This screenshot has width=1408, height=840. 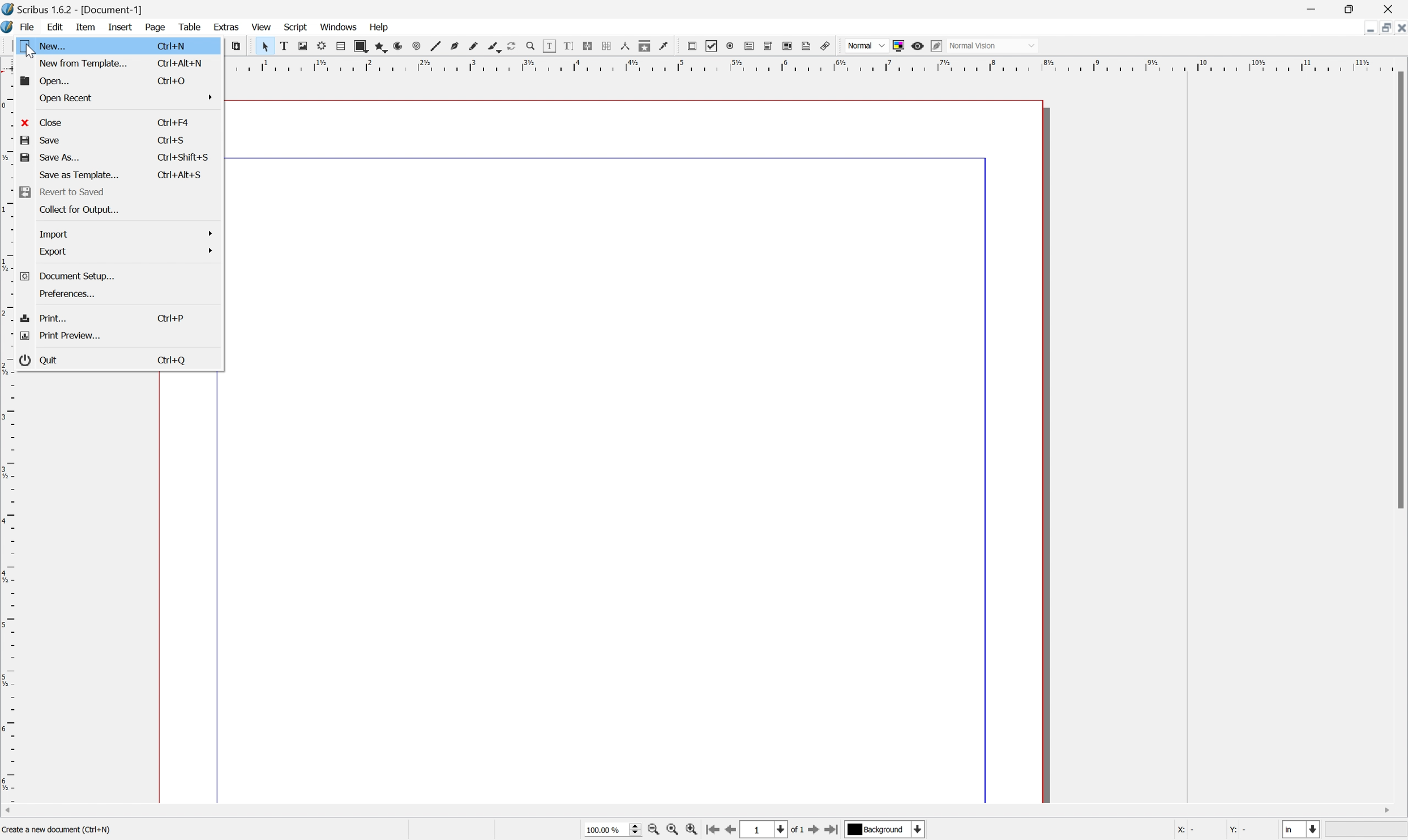 I want to click on zoom out, so click(x=654, y=830).